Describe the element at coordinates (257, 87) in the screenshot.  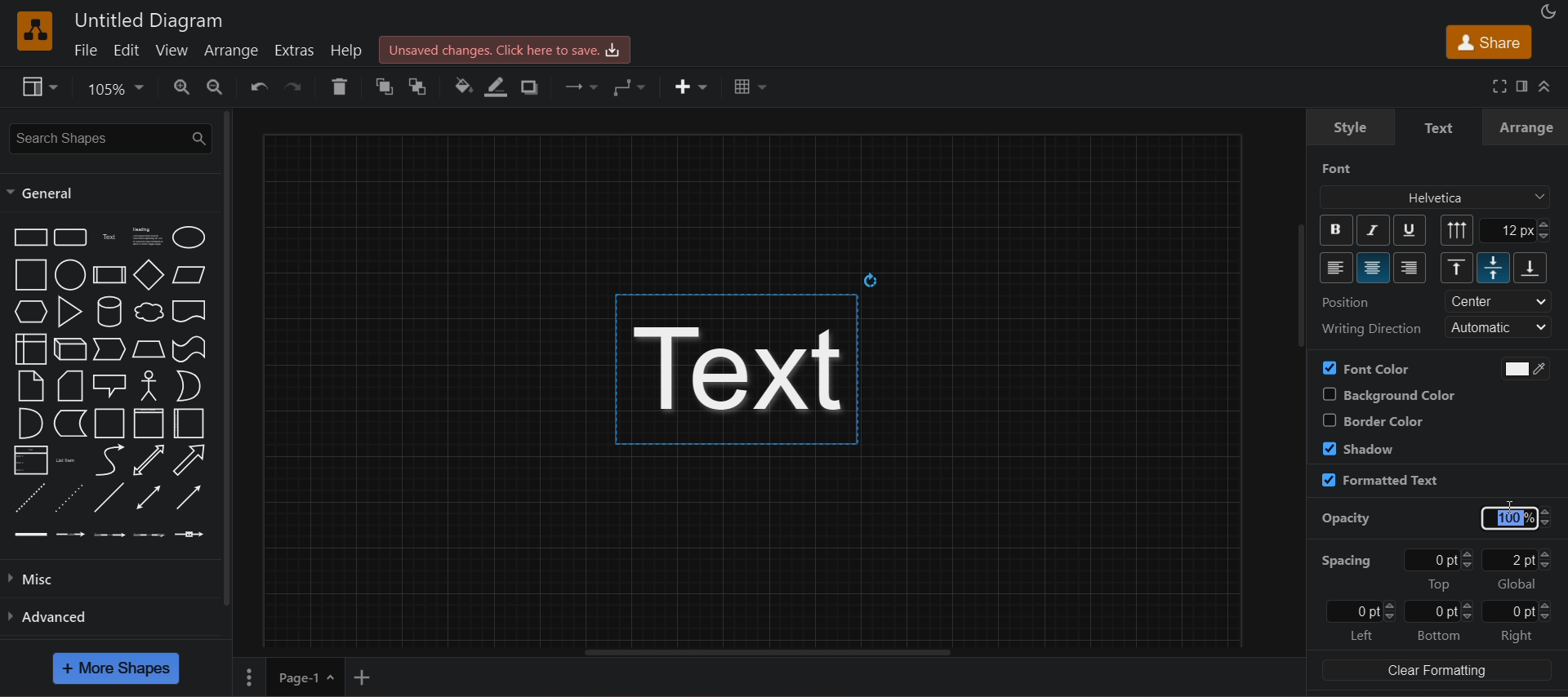
I see `undo` at that location.